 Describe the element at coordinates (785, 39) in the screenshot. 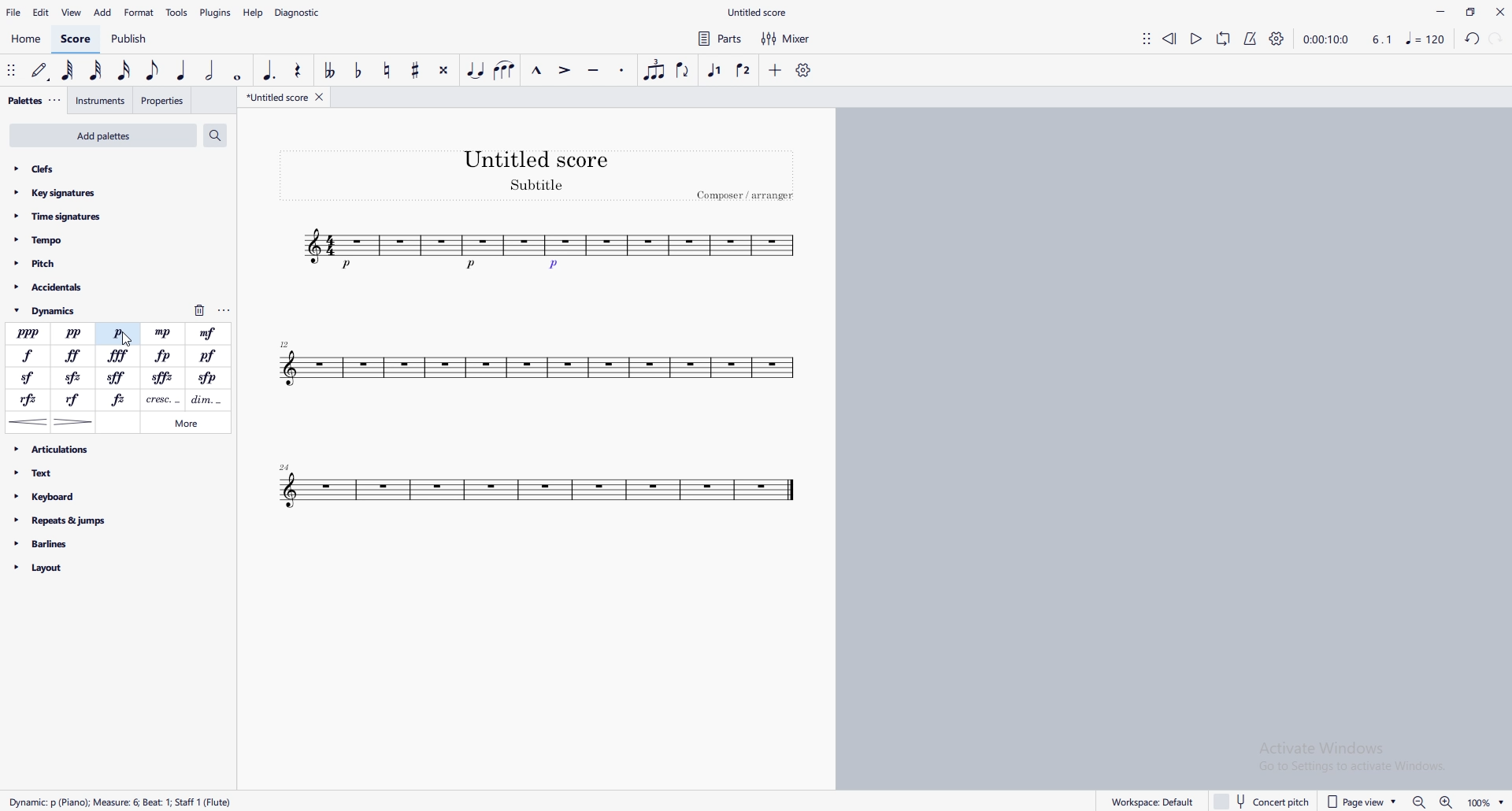

I see `mixer` at that location.